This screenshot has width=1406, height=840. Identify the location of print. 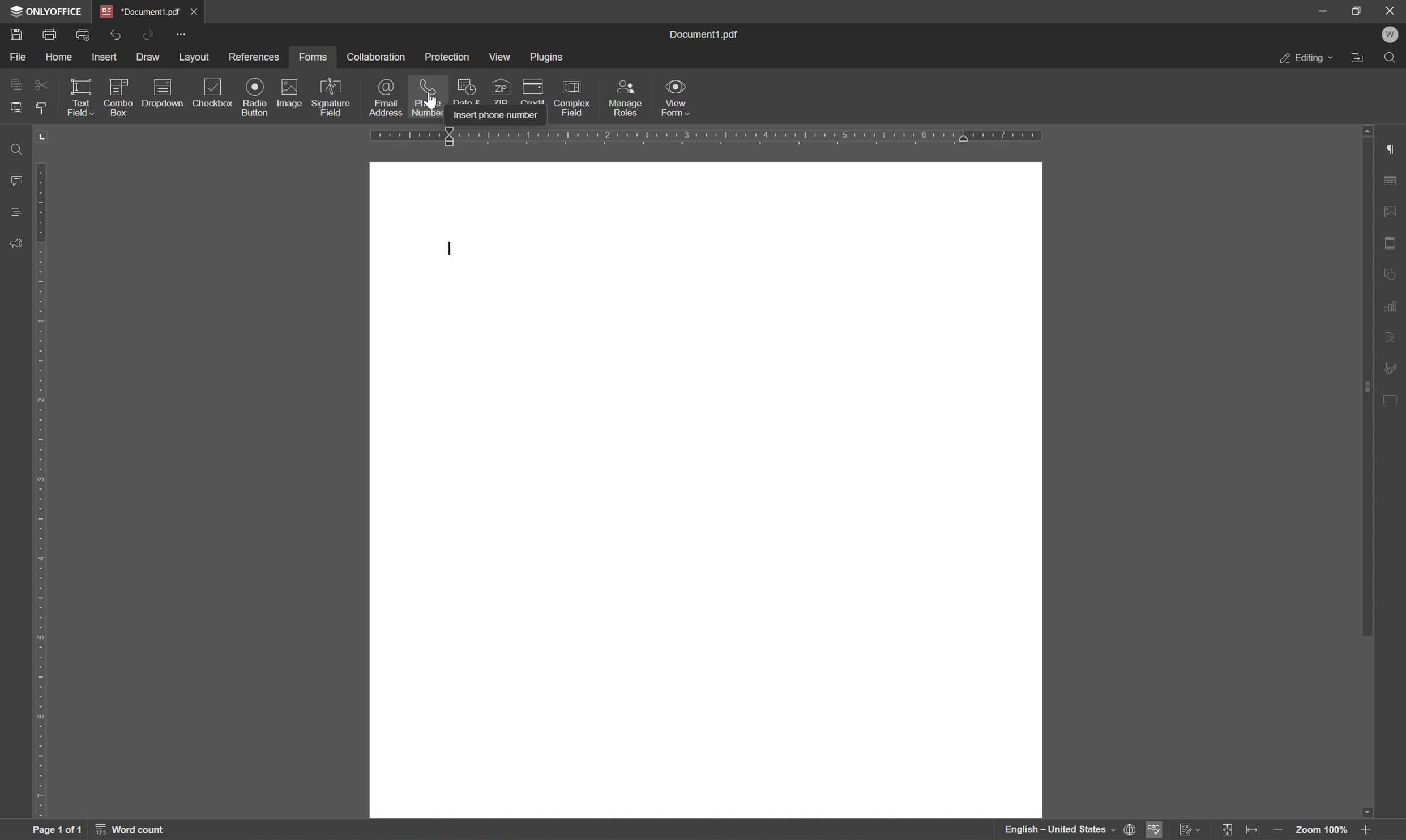
(84, 36).